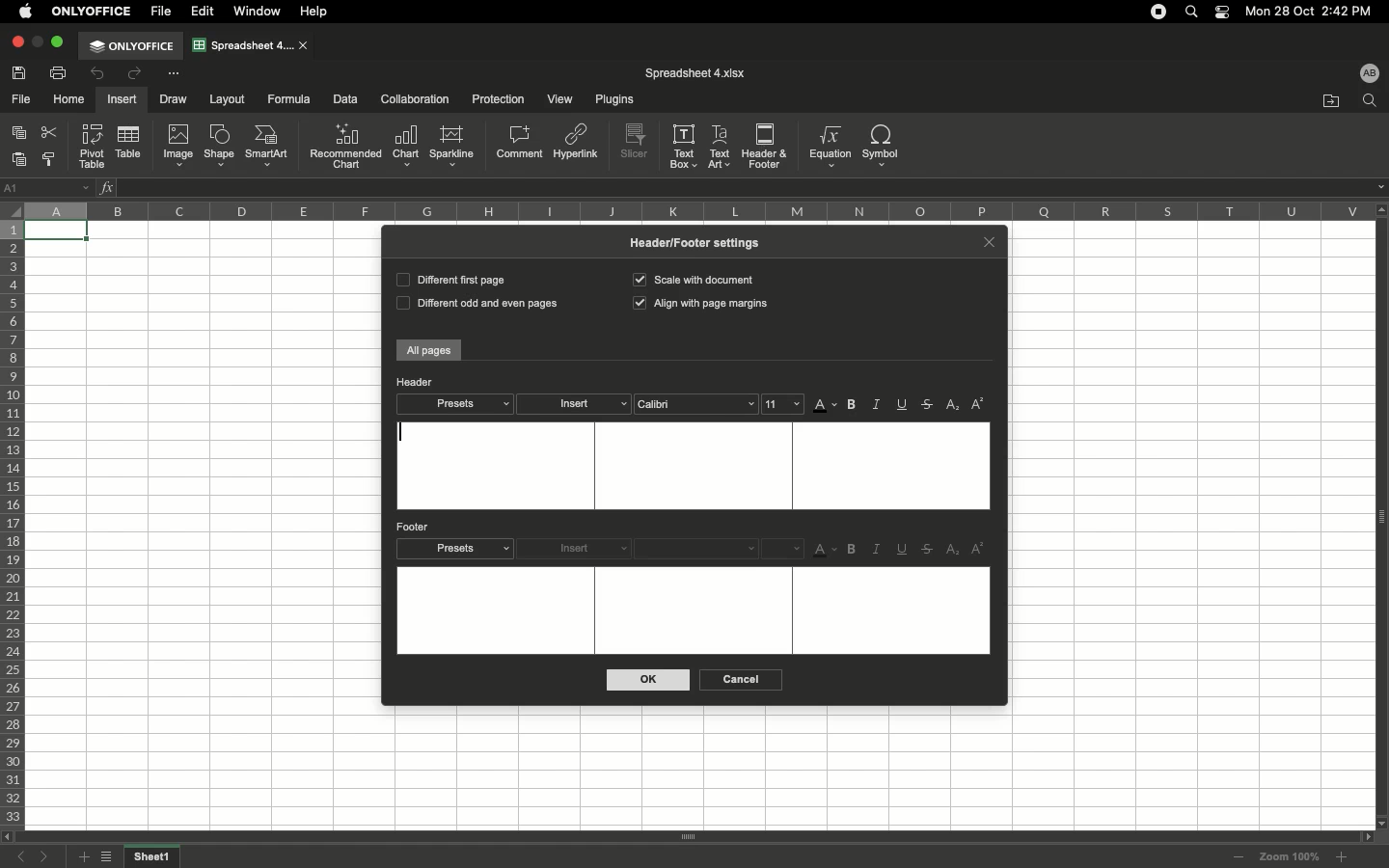  What do you see at coordinates (154, 857) in the screenshot?
I see `Sheet name` at bounding box center [154, 857].